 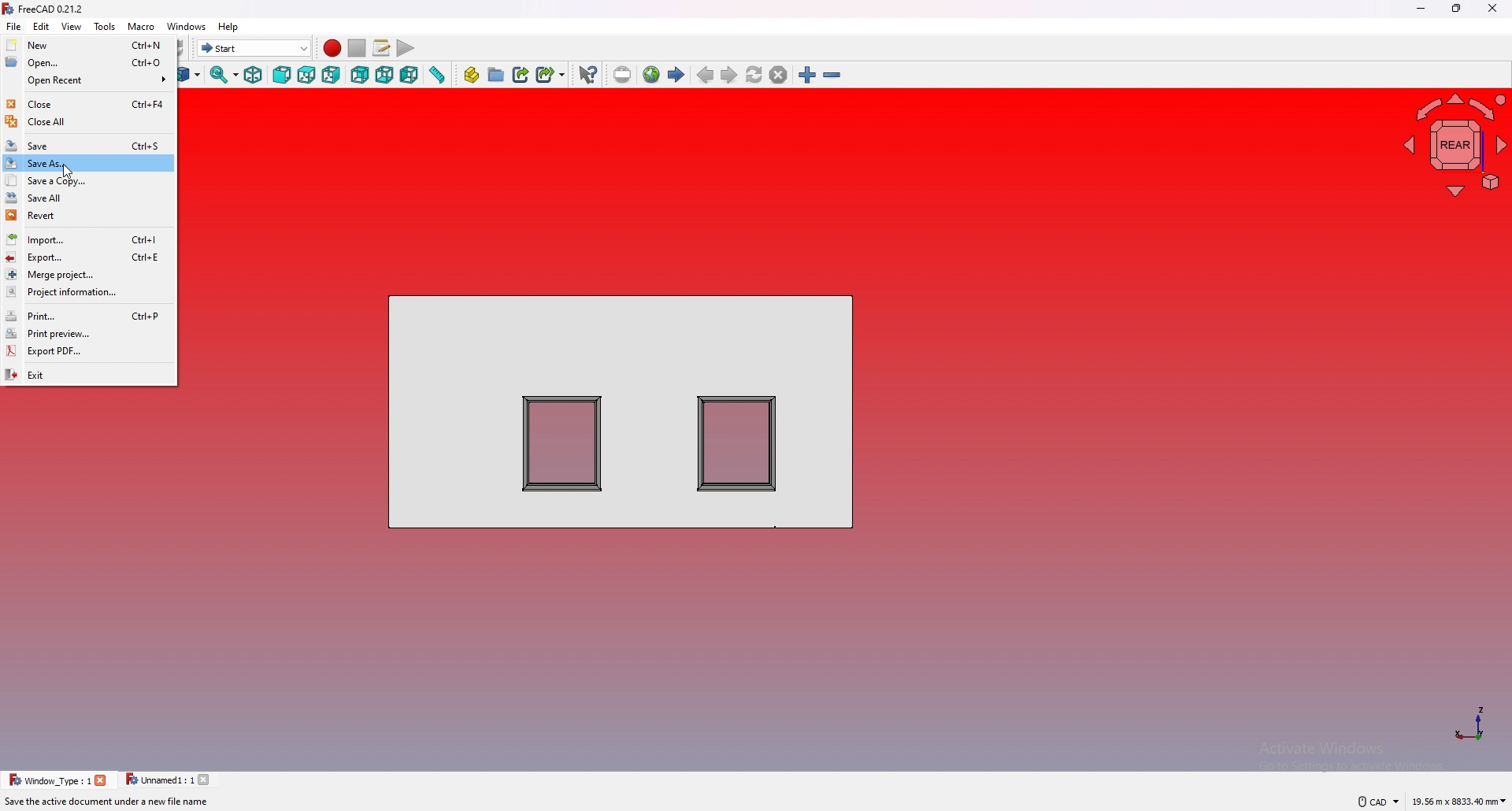 I want to click on next page, so click(x=728, y=75).